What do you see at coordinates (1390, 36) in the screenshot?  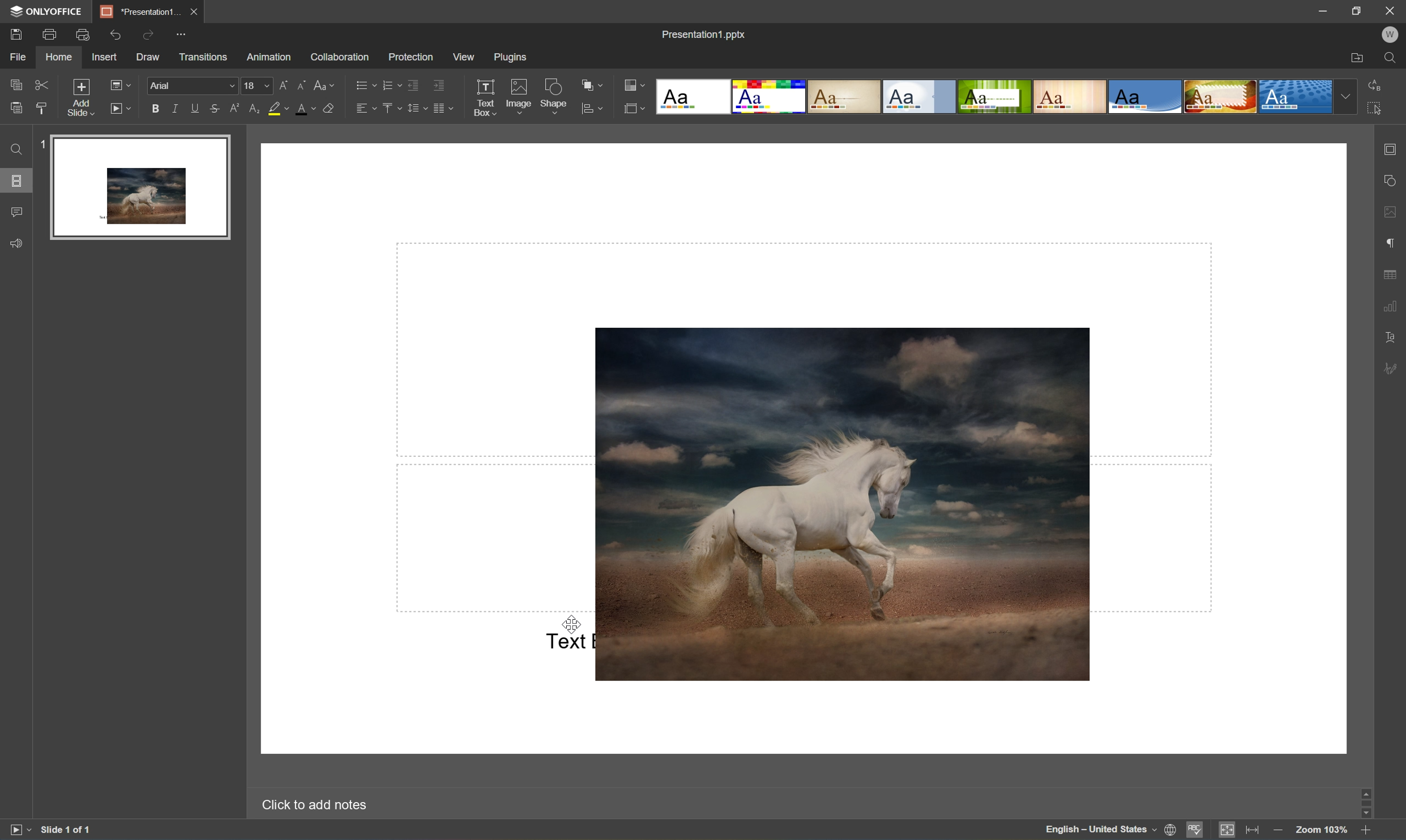 I see `W` at bounding box center [1390, 36].